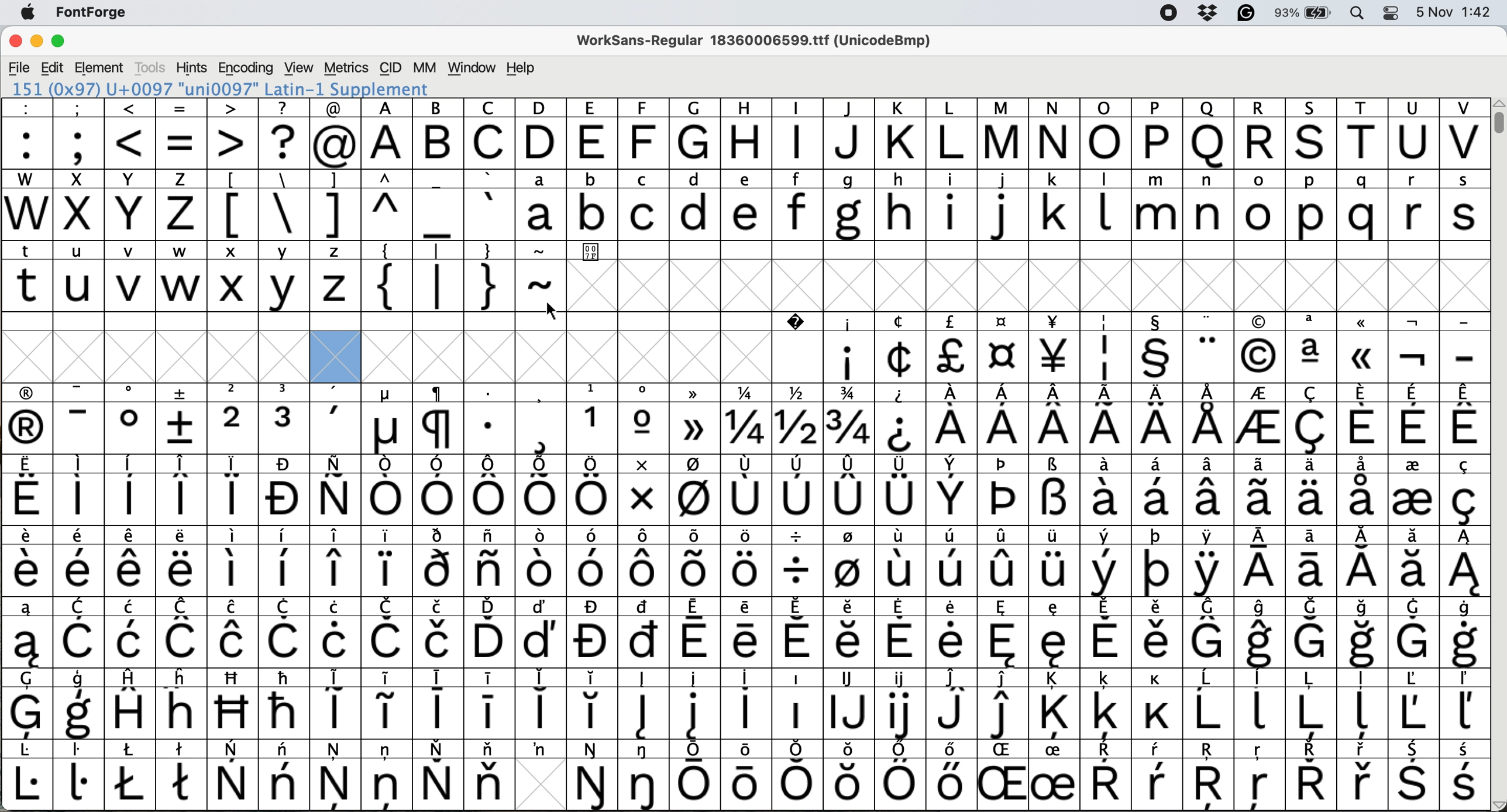  Describe the element at coordinates (334, 203) in the screenshot. I see `]` at that location.